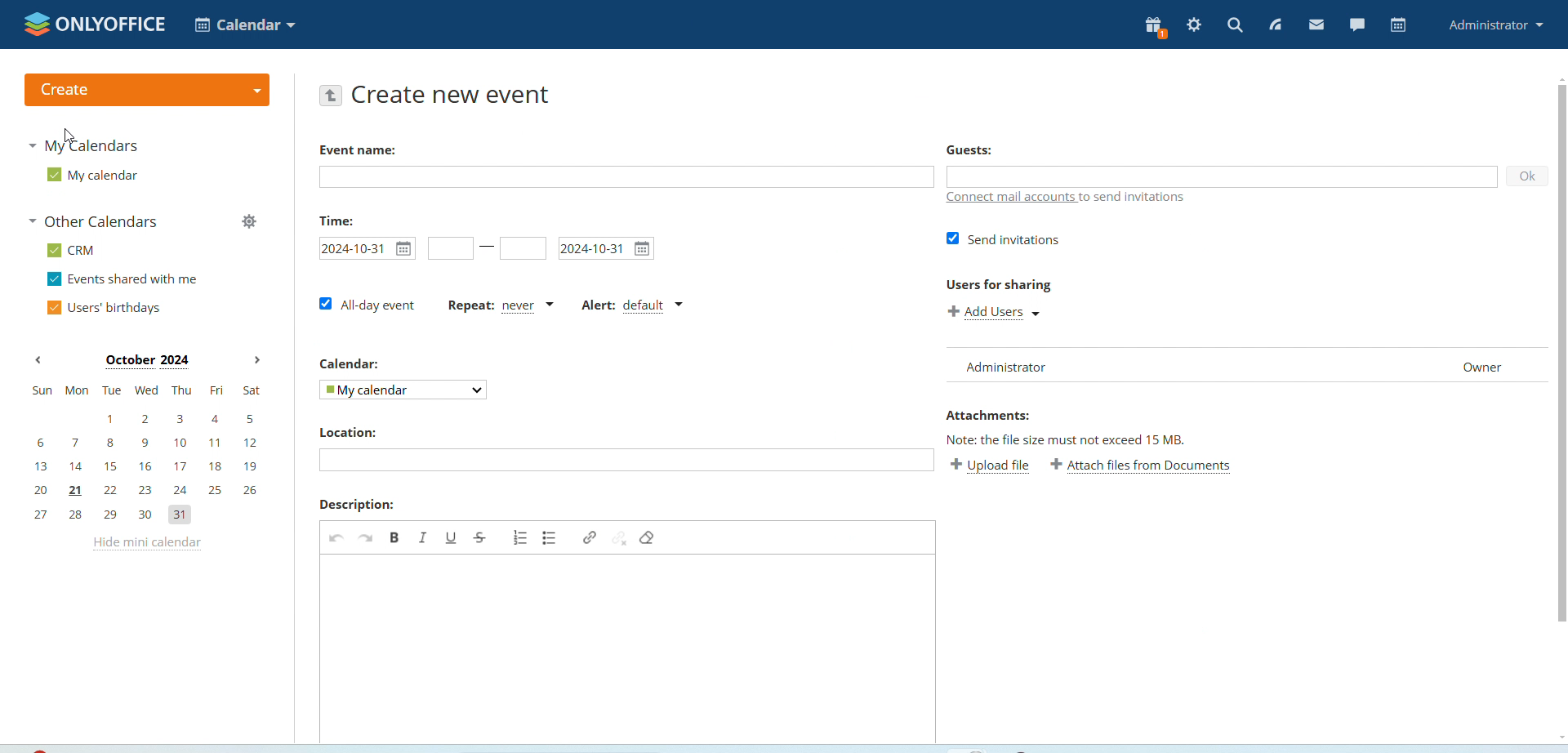 Image resolution: width=1568 pixels, height=753 pixels. Describe the element at coordinates (346, 363) in the screenshot. I see `Calendar` at that location.